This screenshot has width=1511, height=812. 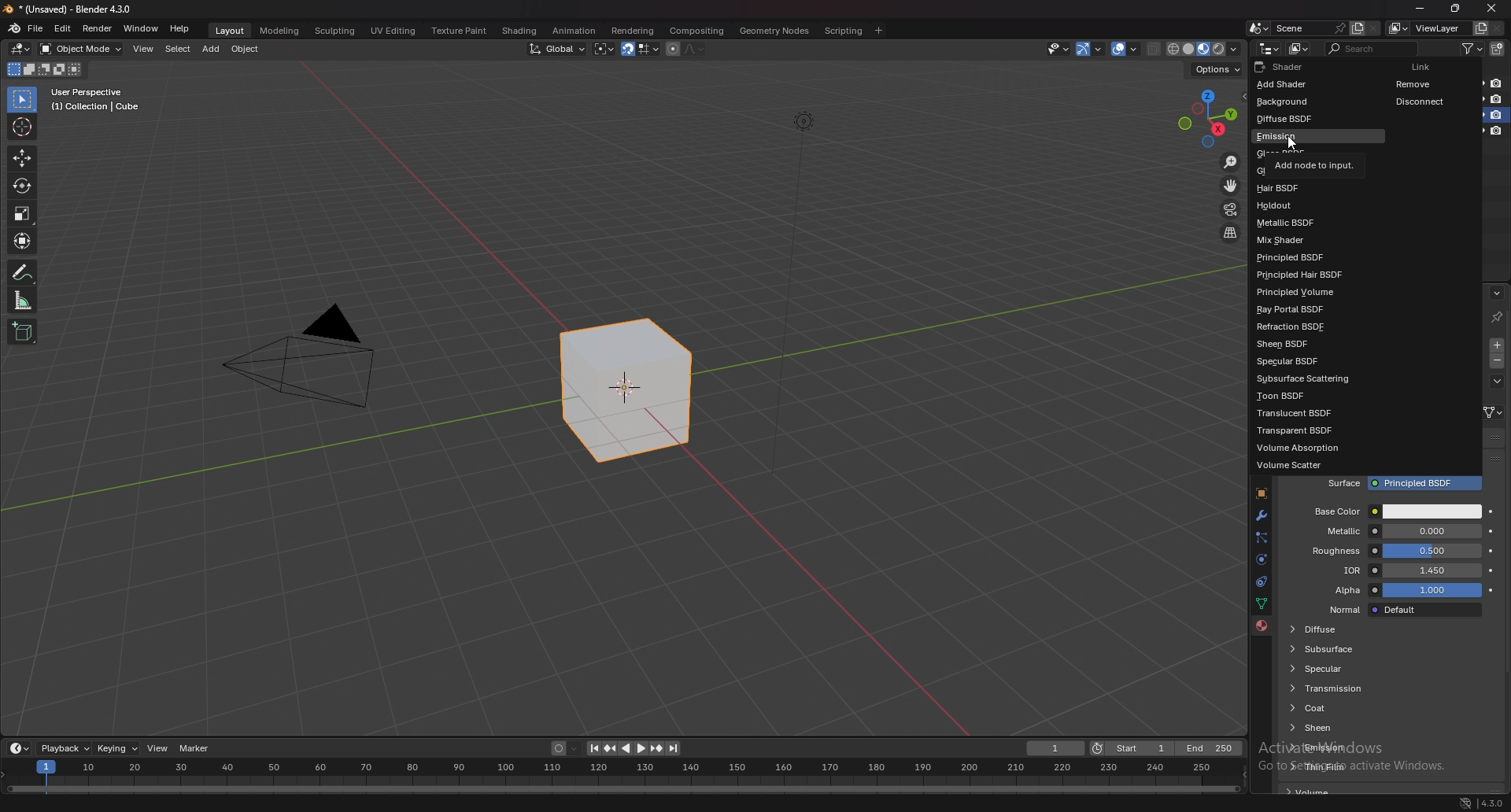 What do you see at coordinates (194, 747) in the screenshot?
I see `marker` at bounding box center [194, 747].